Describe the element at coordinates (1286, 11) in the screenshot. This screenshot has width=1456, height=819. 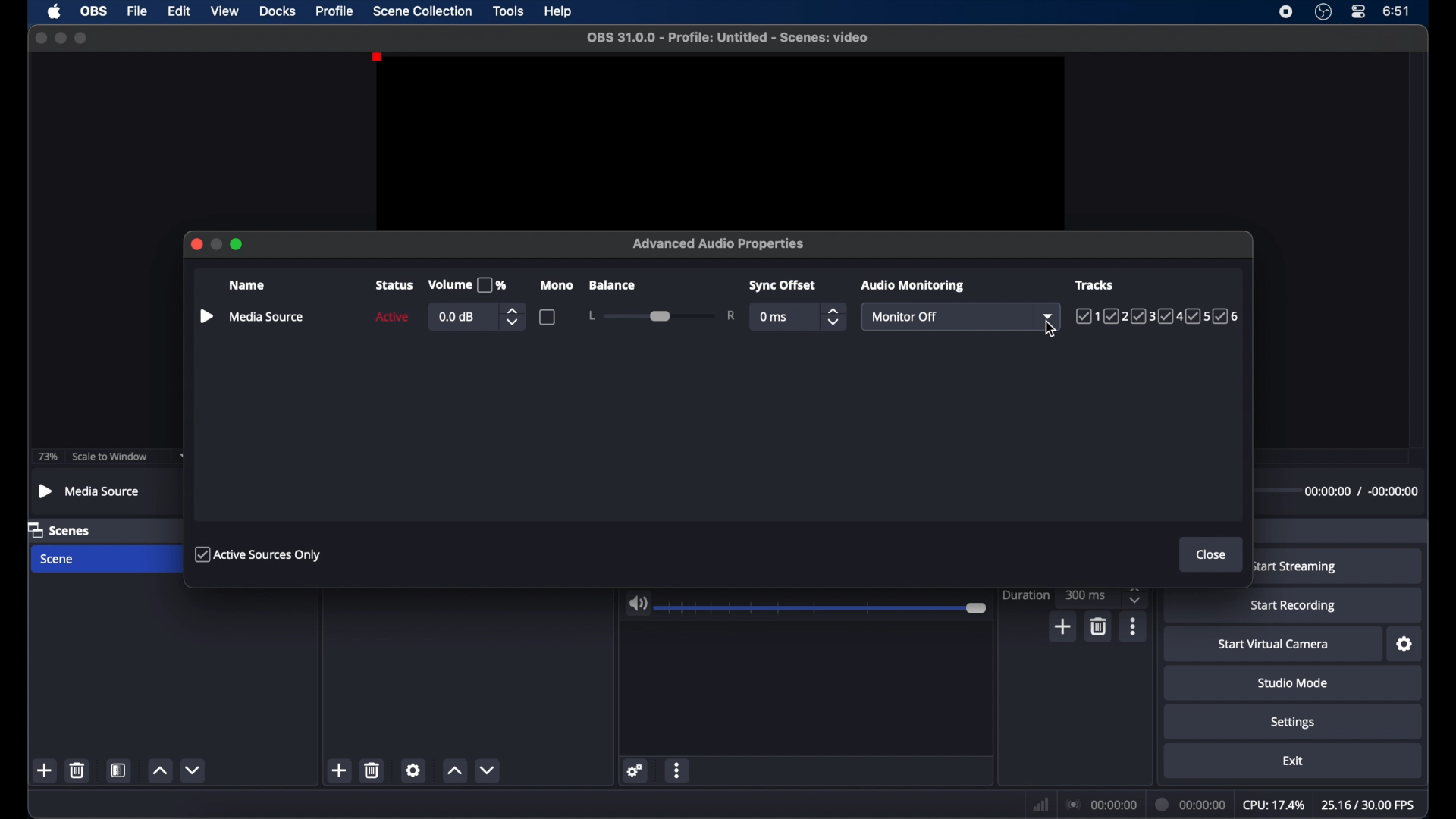
I see `screen recorder icon` at that location.